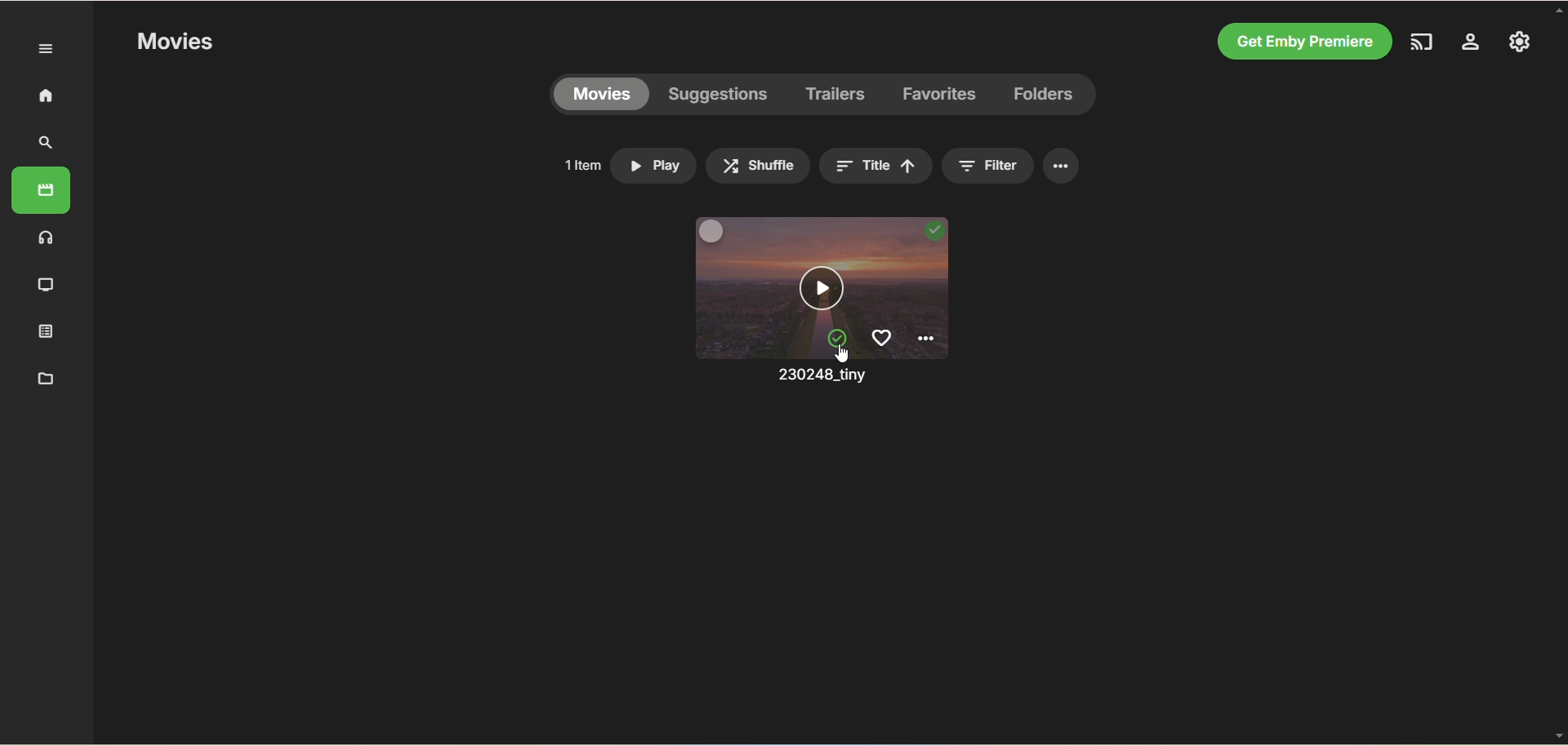  I want to click on cursor, so click(844, 355).